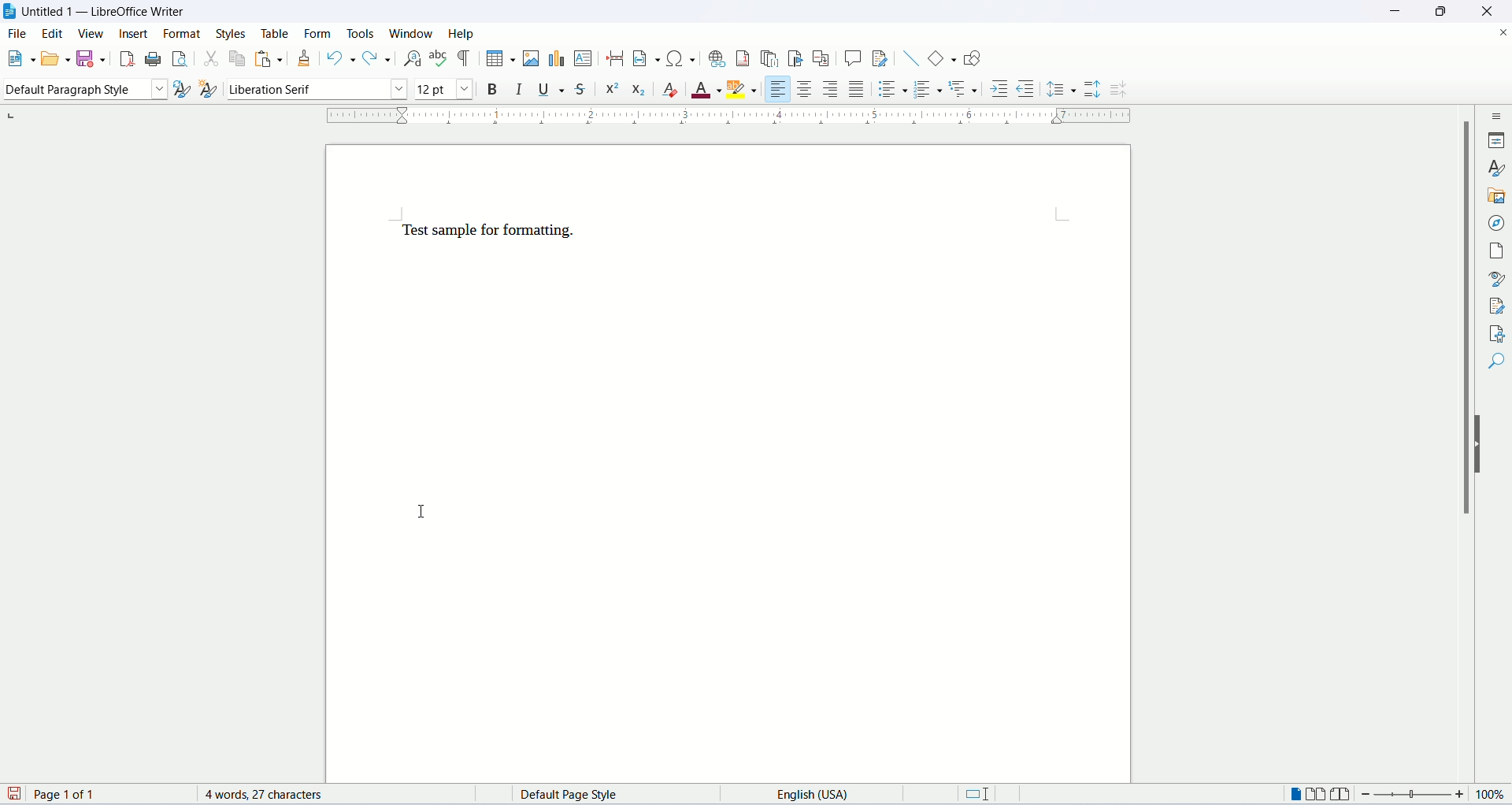 This screenshot has width=1512, height=805. What do you see at coordinates (1395, 9) in the screenshot?
I see `minimize` at bounding box center [1395, 9].